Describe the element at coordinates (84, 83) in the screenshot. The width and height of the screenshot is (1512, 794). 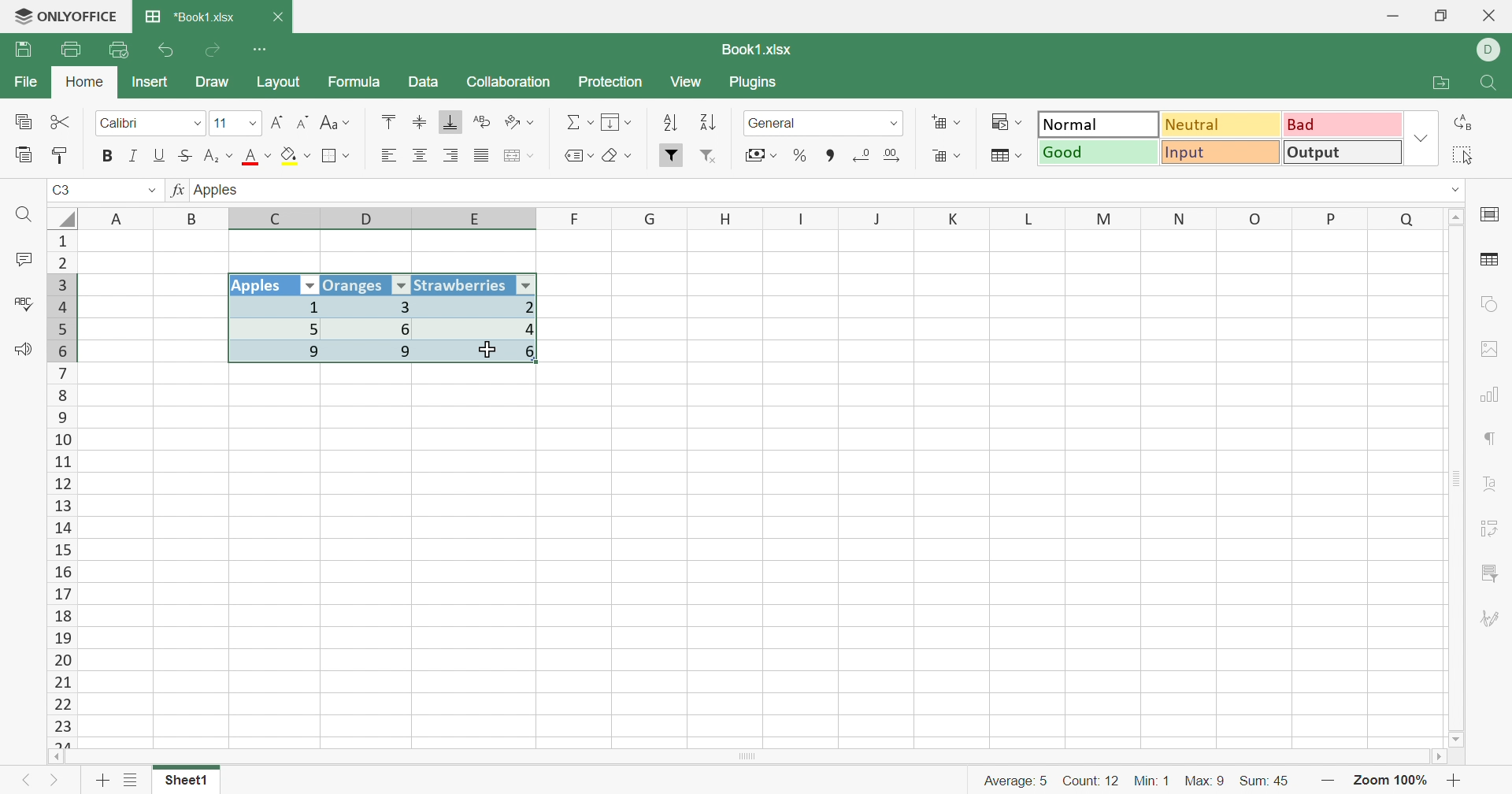
I see `Home` at that location.